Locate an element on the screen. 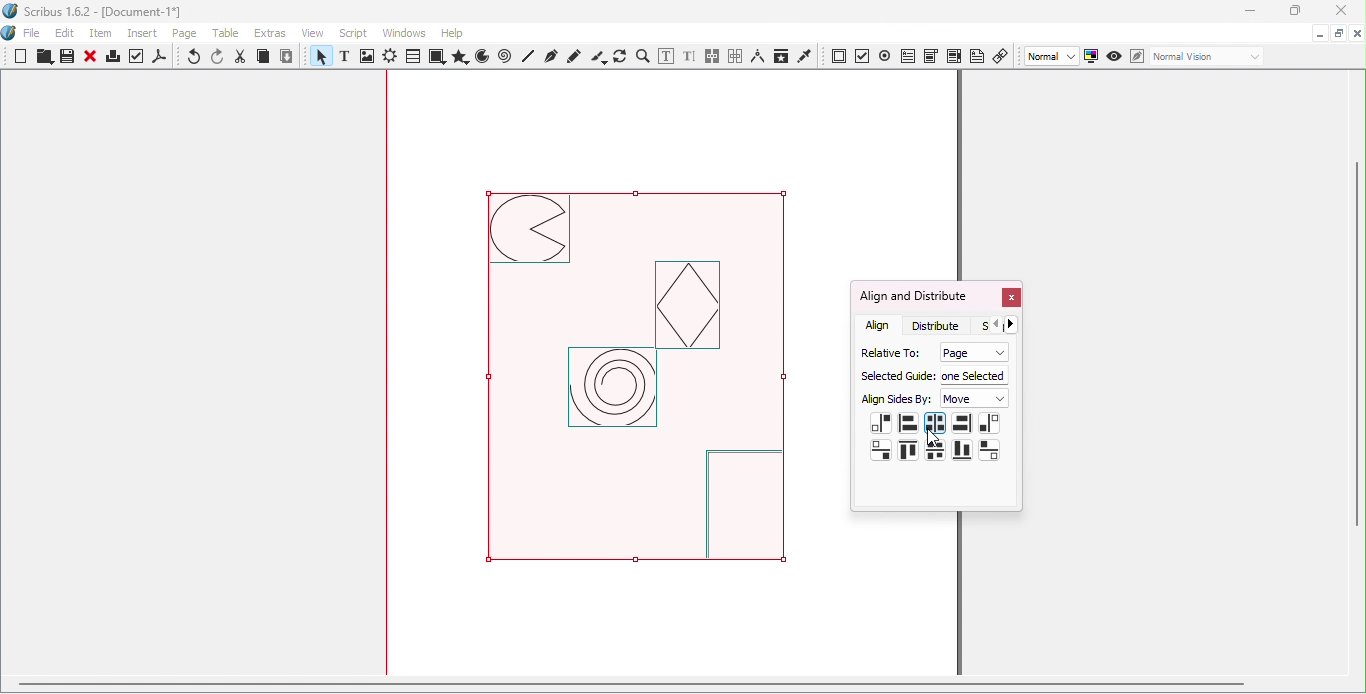  Link text frames is located at coordinates (713, 57).